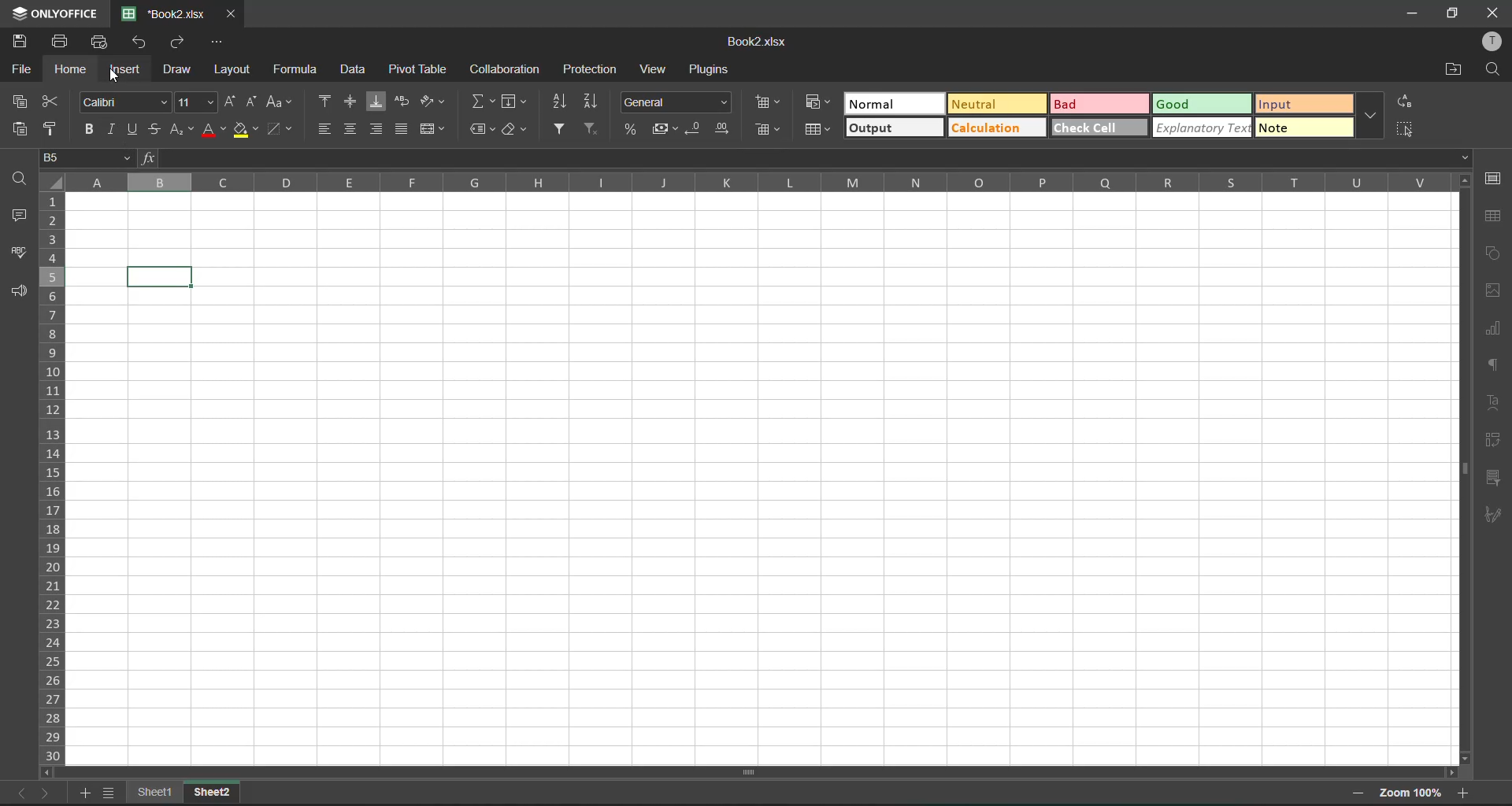 The image size is (1512, 806). I want to click on more options, so click(1366, 118).